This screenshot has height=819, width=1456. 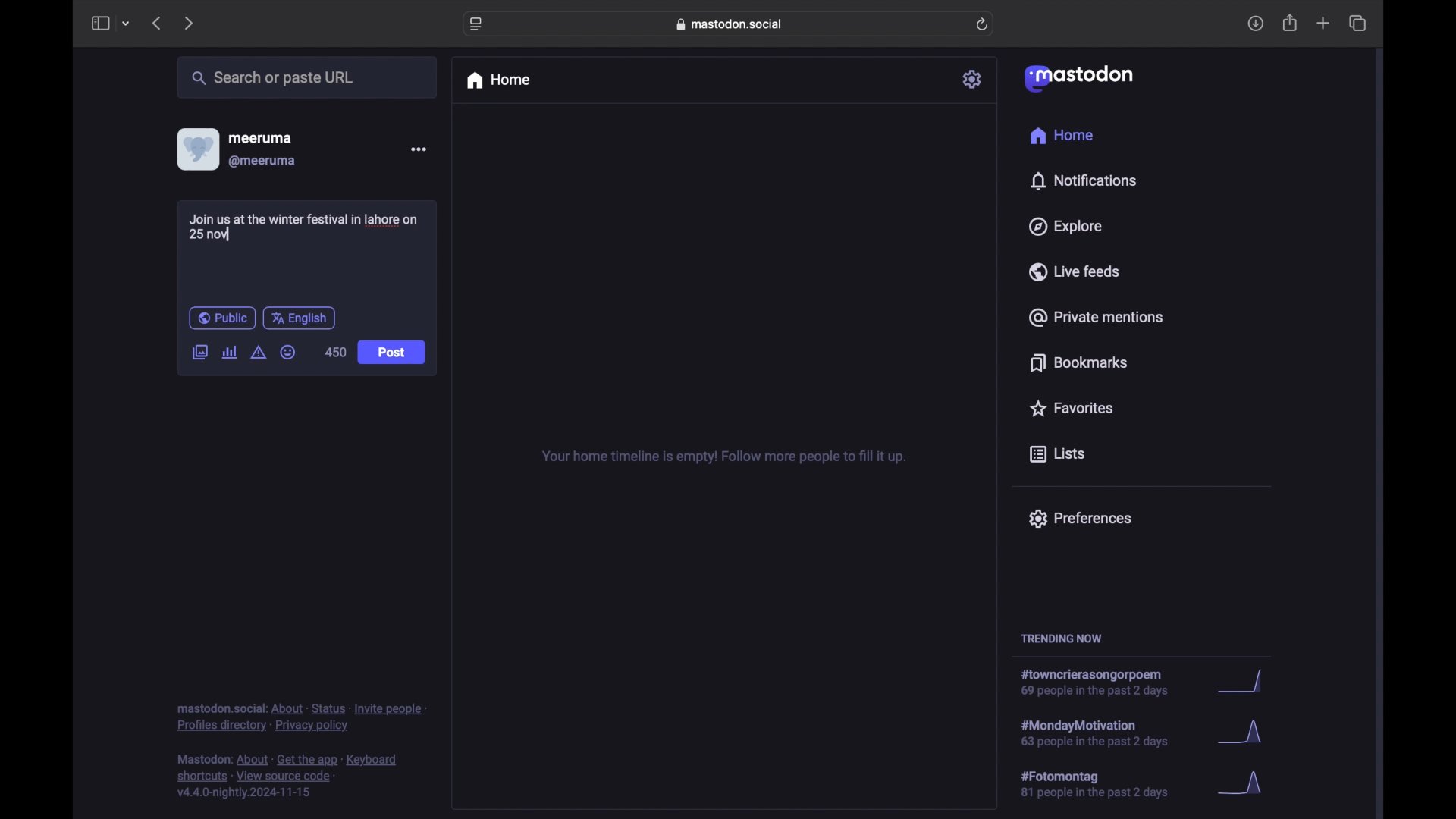 What do you see at coordinates (99, 23) in the screenshot?
I see `sidebar` at bounding box center [99, 23].